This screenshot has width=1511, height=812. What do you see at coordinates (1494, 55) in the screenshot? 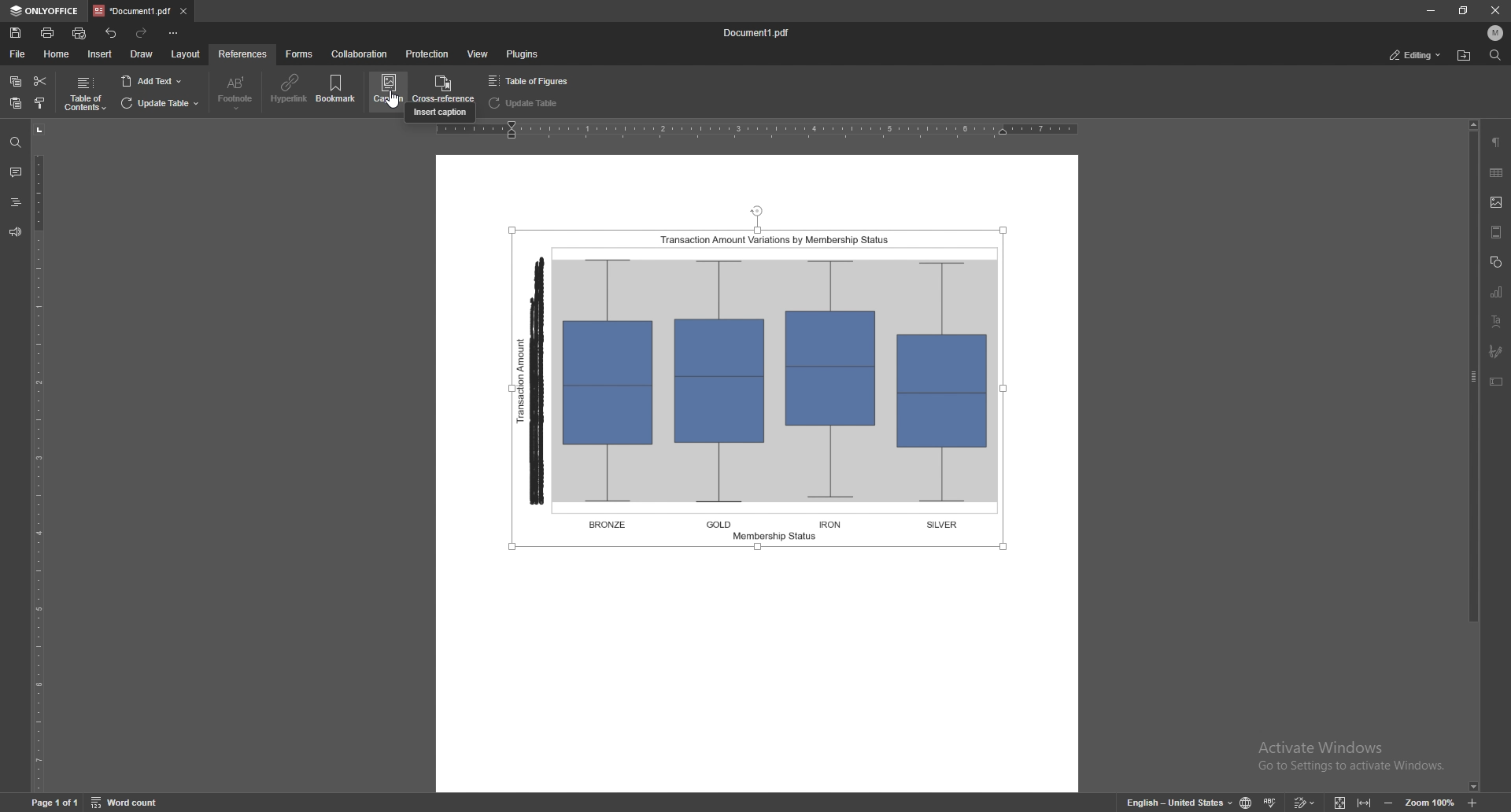
I see `find` at bounding box center [1494, 55].